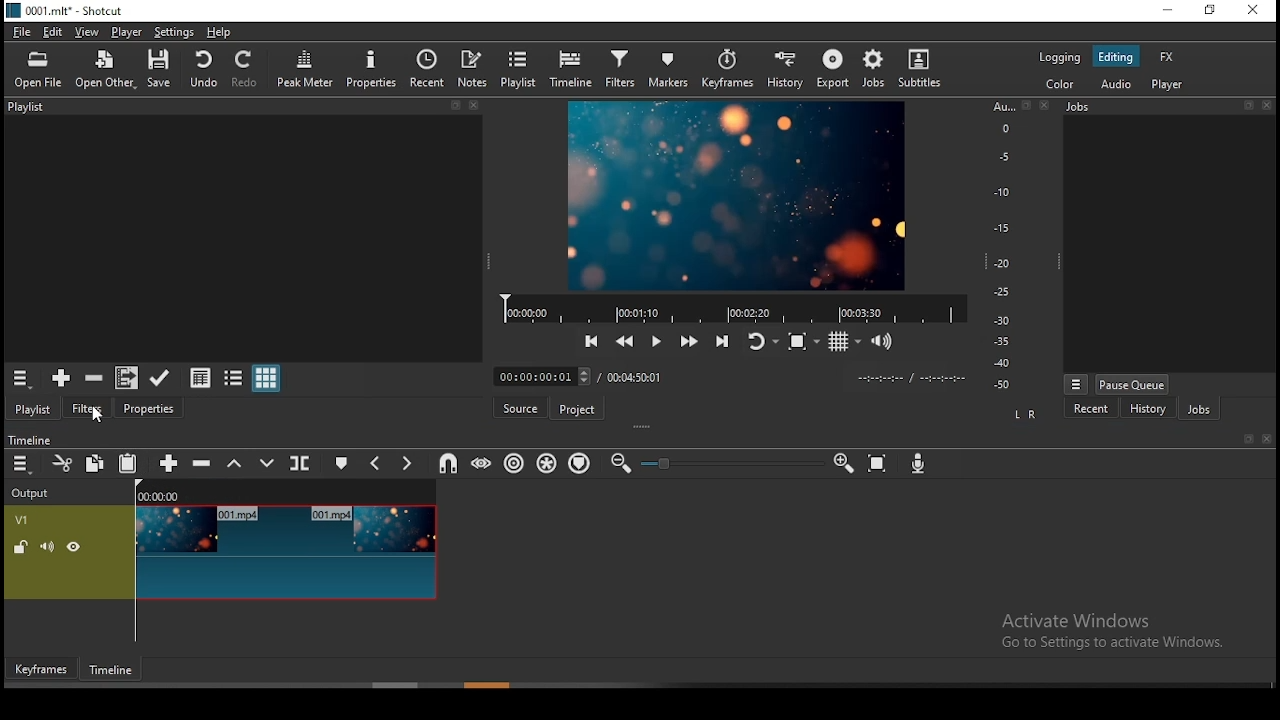 Image resolution: width=1280 pixels, height=720 pixels. What do you see at coordinates (635, 377) in the screenshot?
I see `track duration` at bounding box center [635, 377].